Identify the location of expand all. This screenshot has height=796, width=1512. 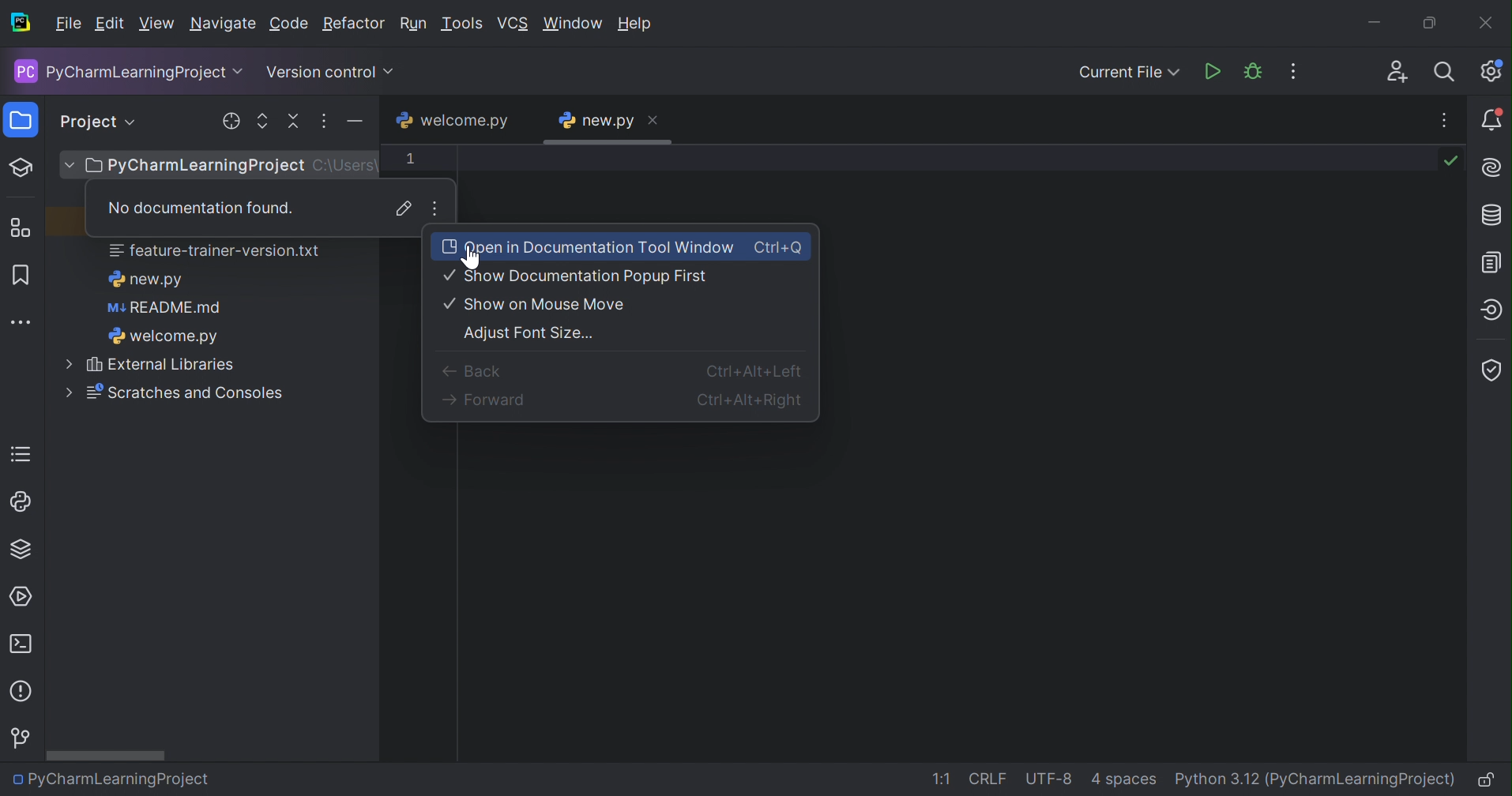
(260, 121).